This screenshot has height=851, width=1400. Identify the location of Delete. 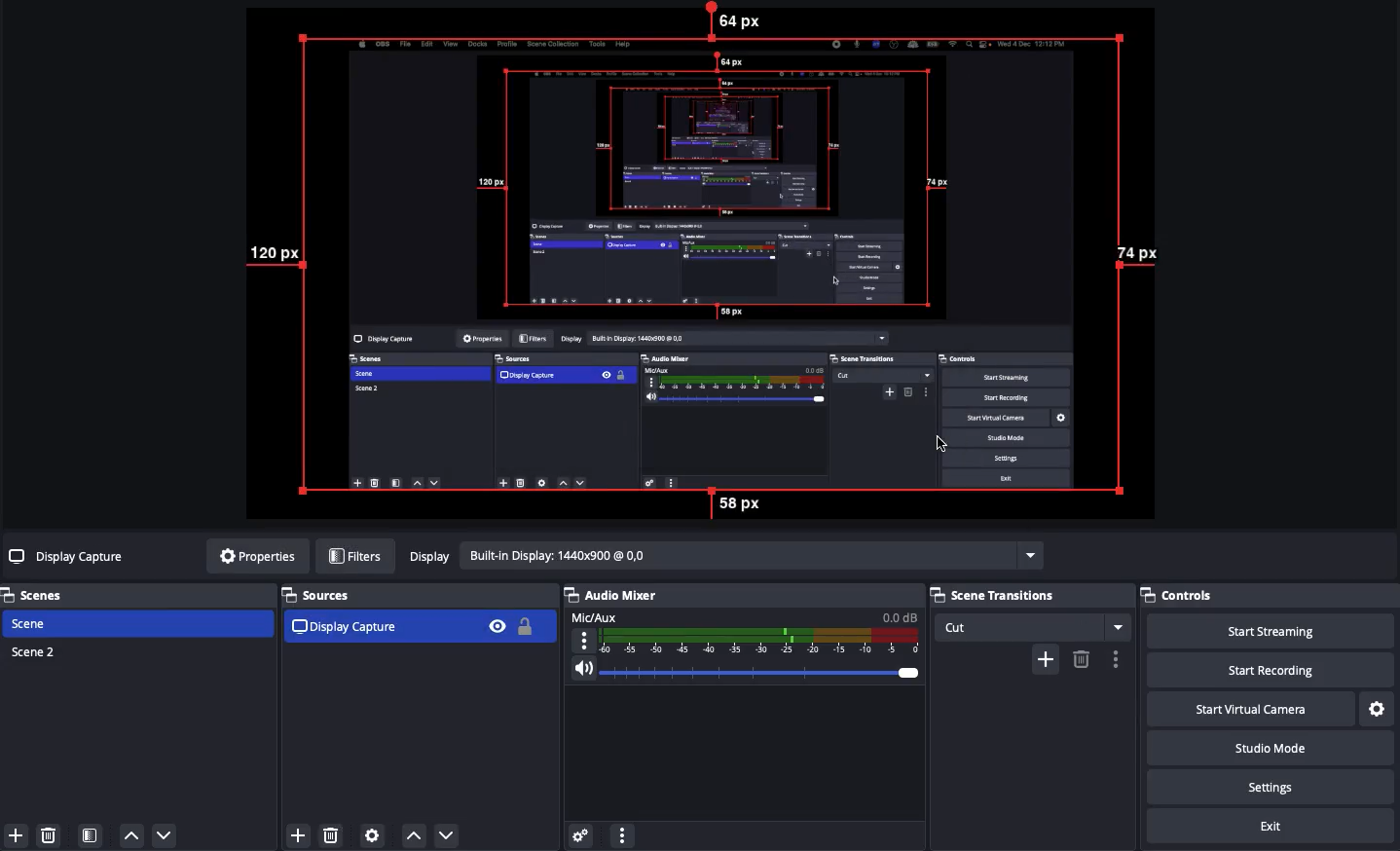
(1081, 659).